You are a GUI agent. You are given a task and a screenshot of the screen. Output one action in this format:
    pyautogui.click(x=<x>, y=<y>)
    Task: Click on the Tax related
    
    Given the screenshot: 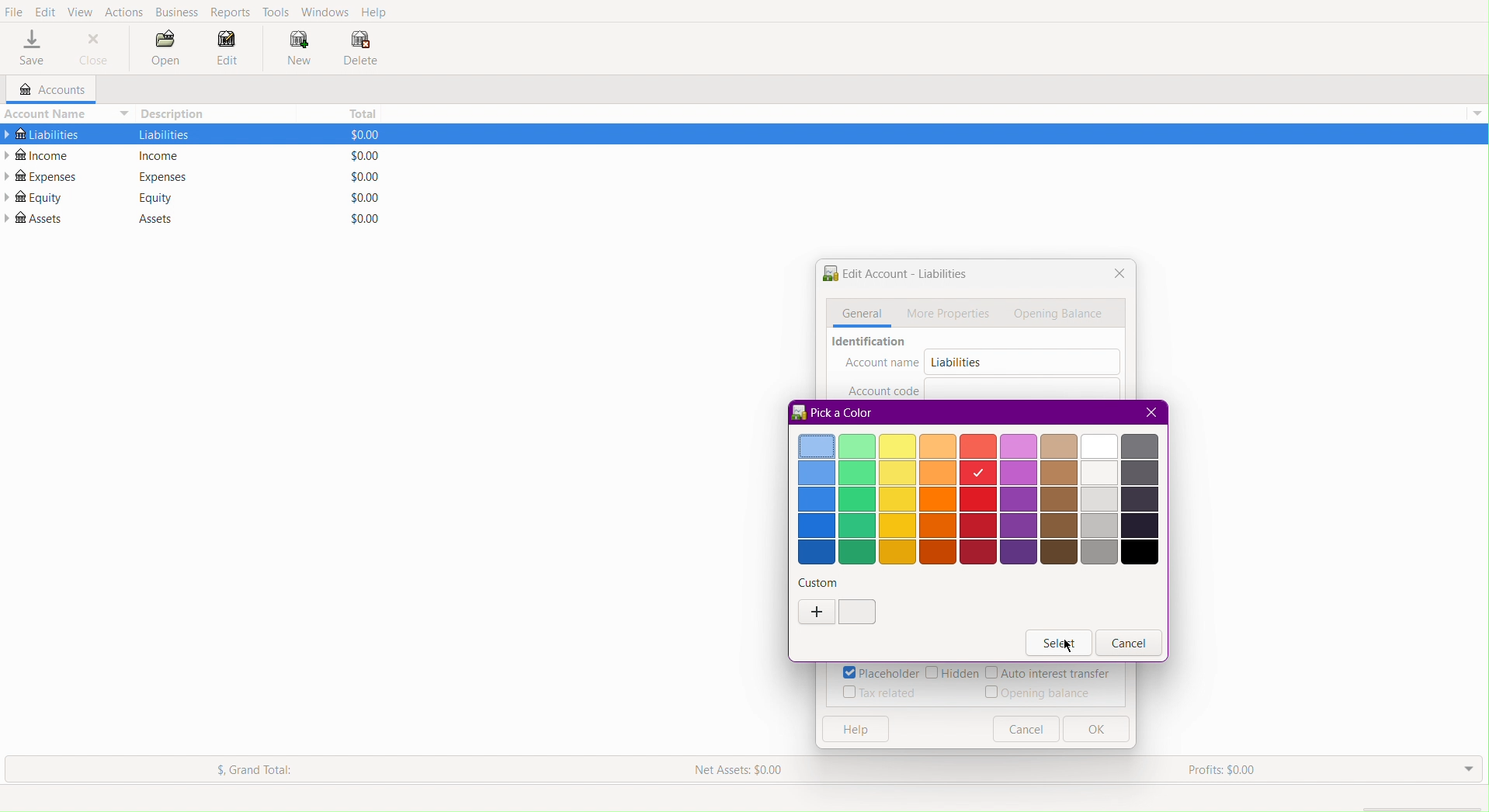 What is the action you would take?
    pyautogui.click(x=880, y=692)
    